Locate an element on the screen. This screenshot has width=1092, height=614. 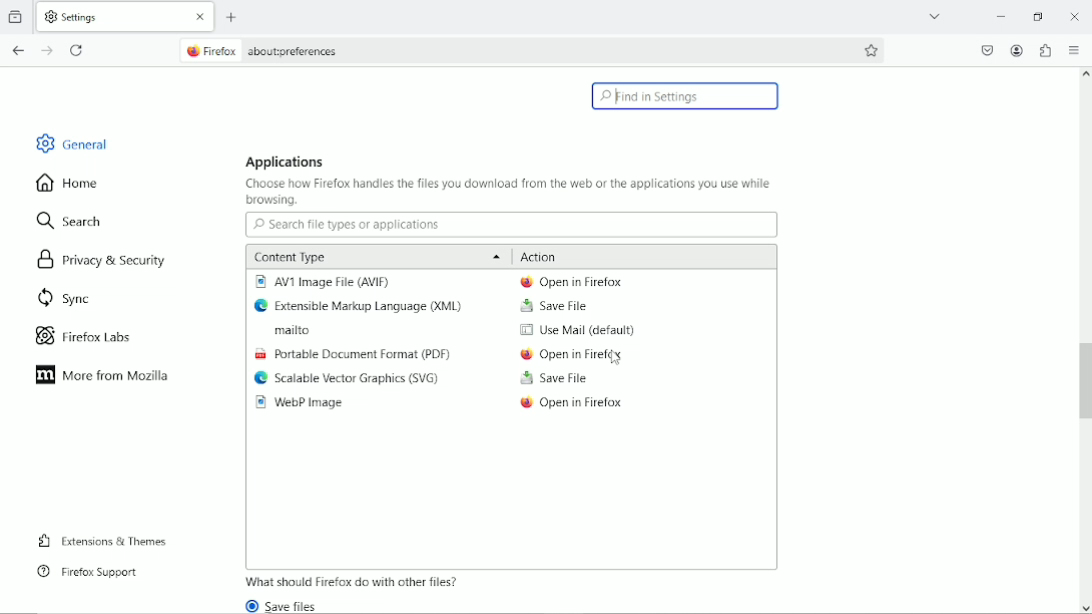
Minimize is located at coordinates (1003, 17).